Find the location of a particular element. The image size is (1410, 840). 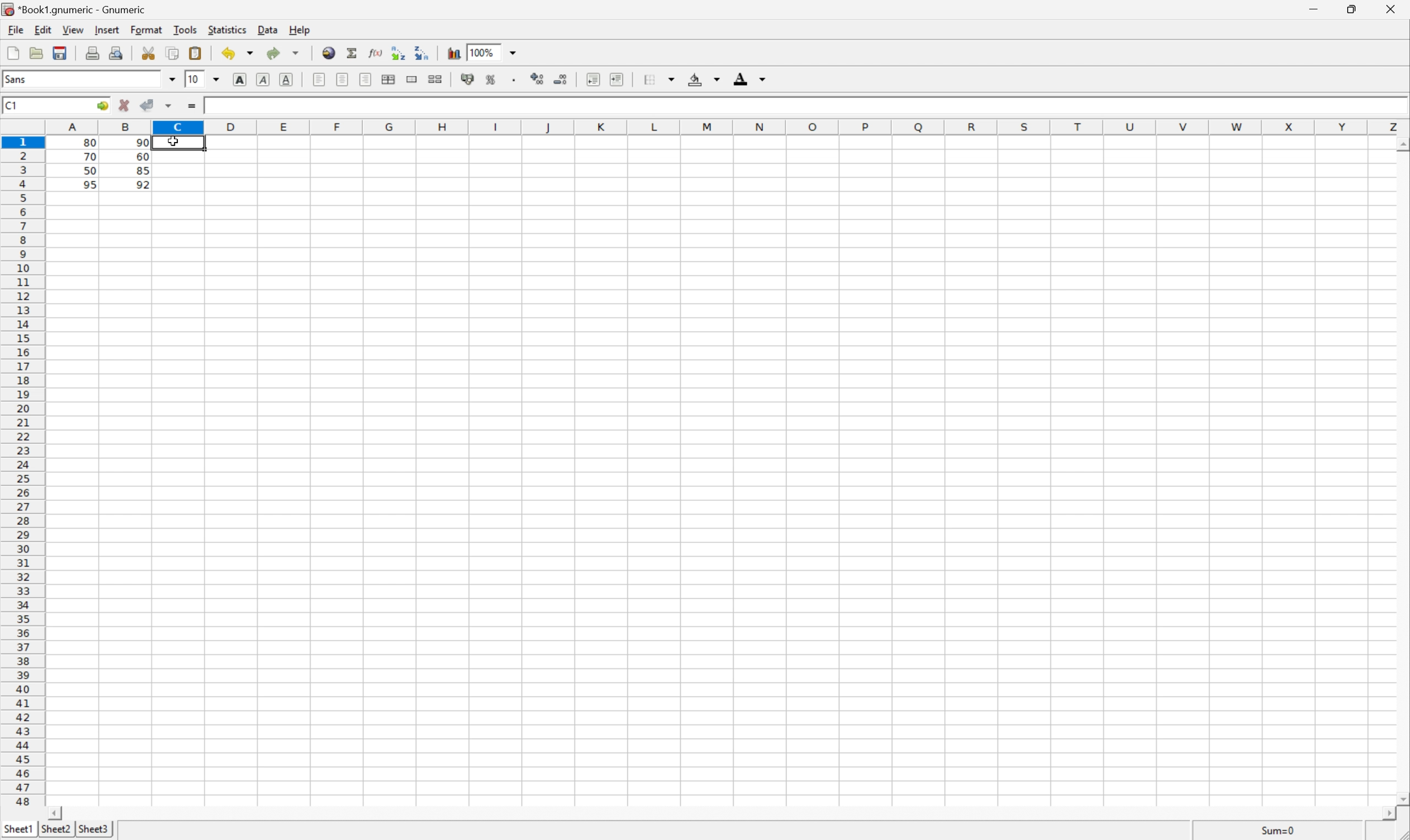

Scroll Up is located at coordinates (1401, 144).